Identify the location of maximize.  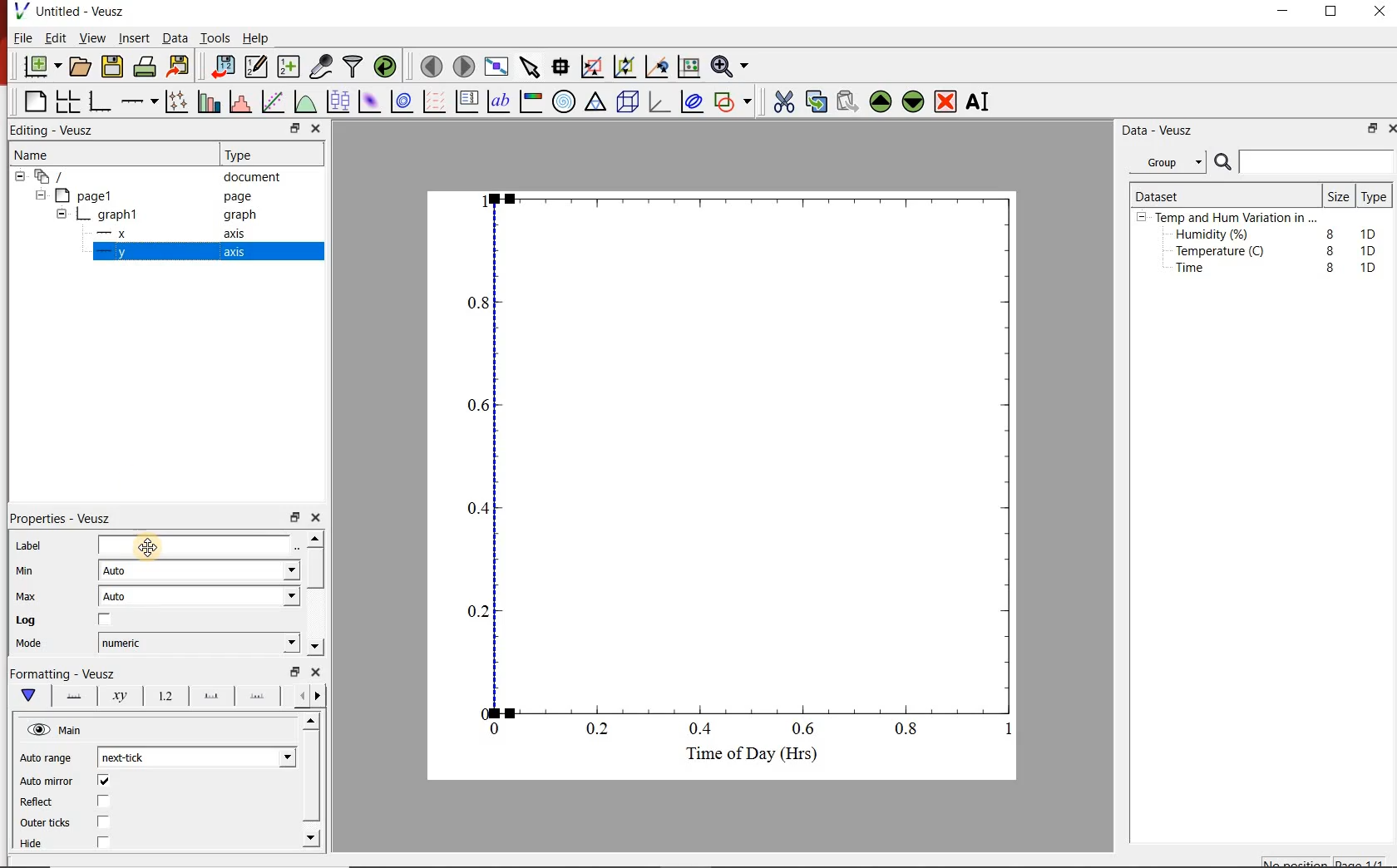
(1340, 12).